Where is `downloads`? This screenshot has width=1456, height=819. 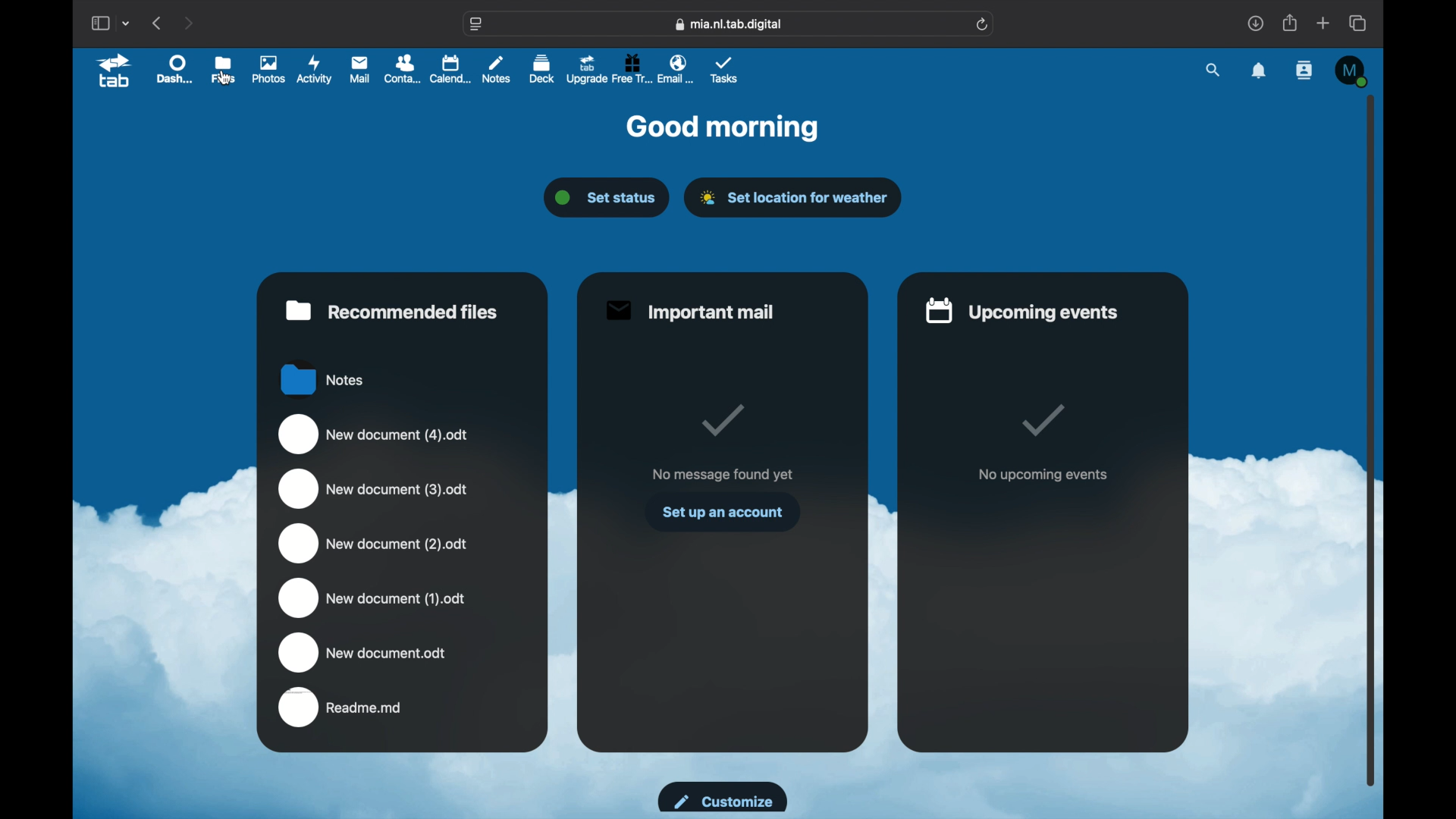
downloads is located at coordinates (1255, 23).